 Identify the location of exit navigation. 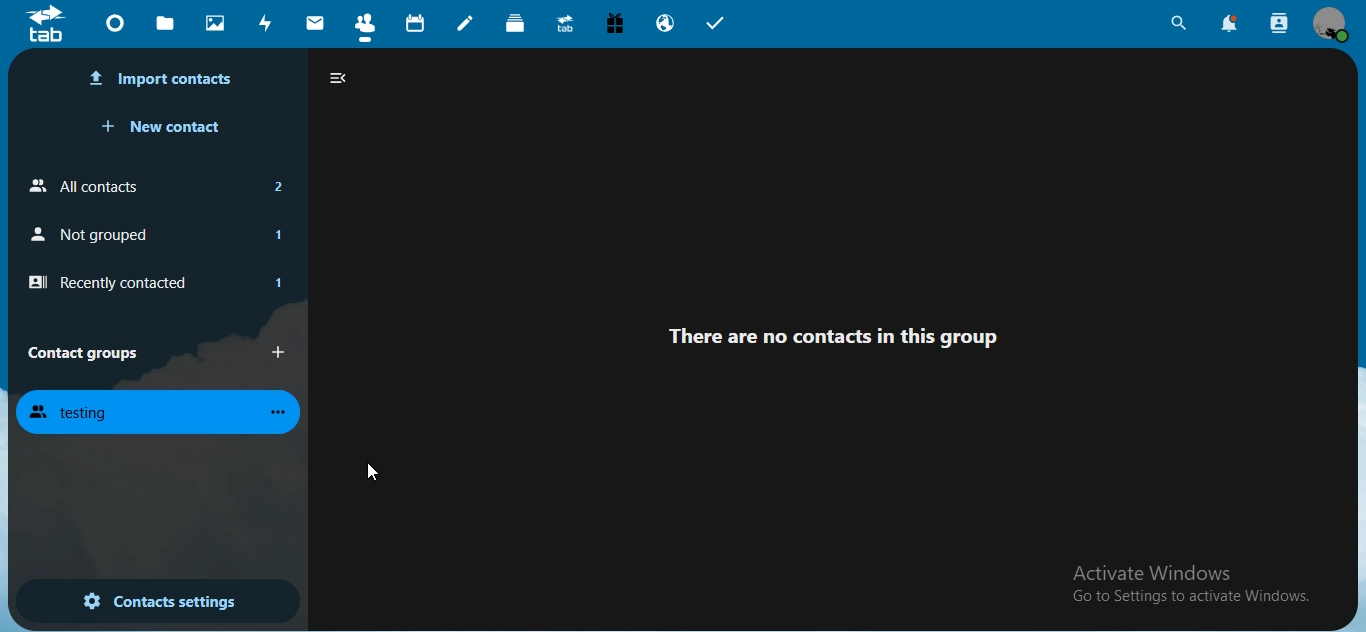
(338, 78).